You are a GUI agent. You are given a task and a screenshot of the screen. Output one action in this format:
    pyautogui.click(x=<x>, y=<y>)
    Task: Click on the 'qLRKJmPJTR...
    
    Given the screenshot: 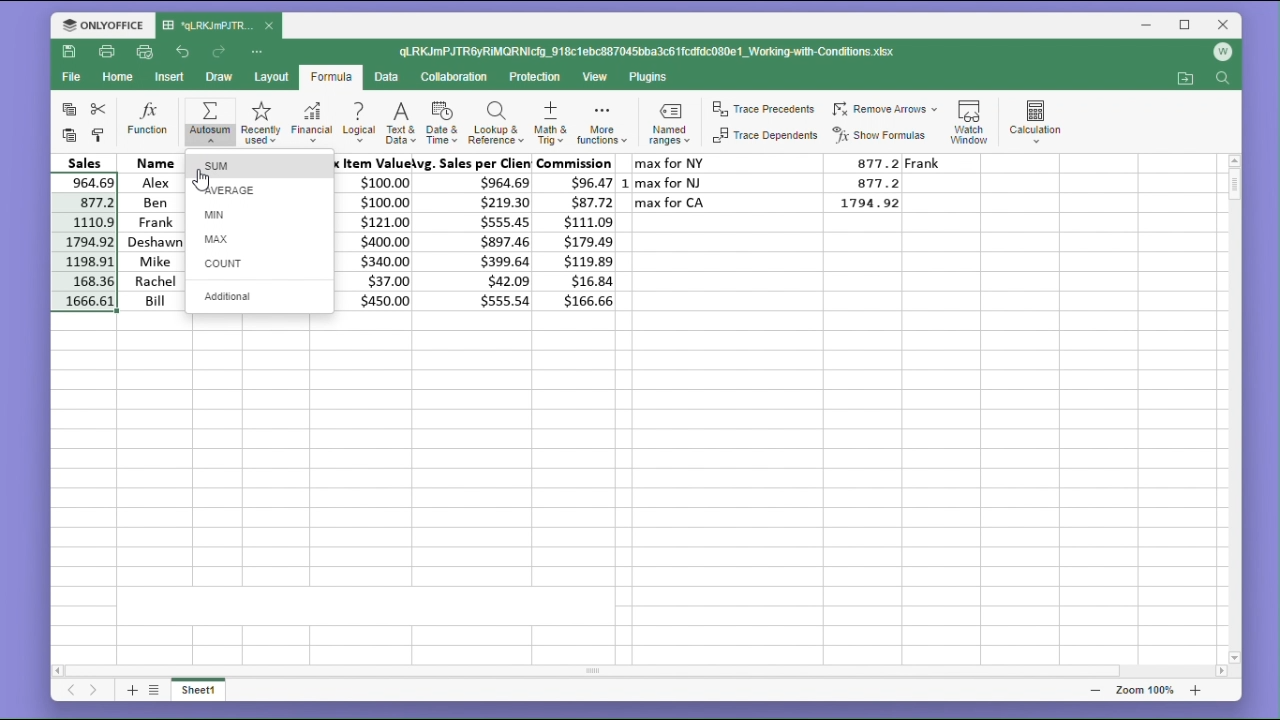 What is the action you would take?
    pyautogui.click(x=208, y=25)
    